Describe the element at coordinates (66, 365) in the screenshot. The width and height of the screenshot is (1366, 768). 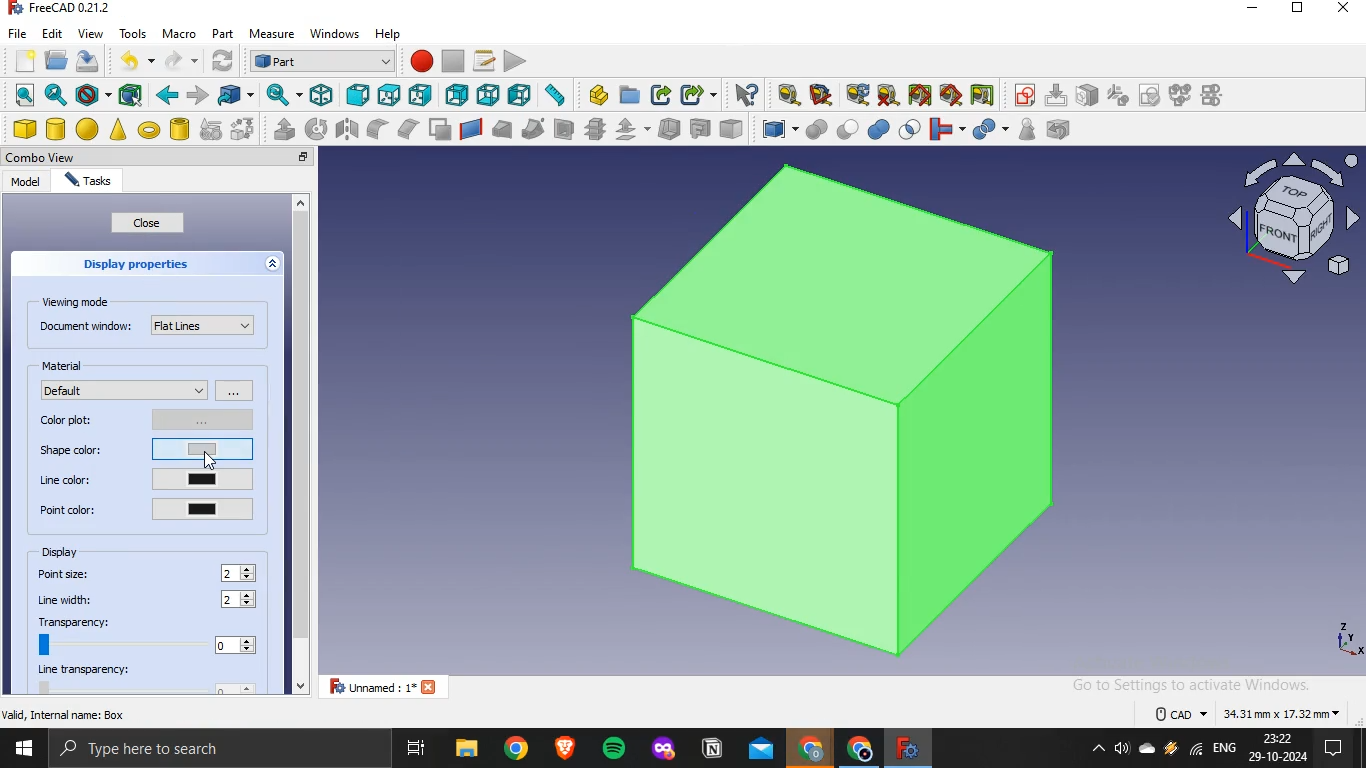
I see `material` at that location.